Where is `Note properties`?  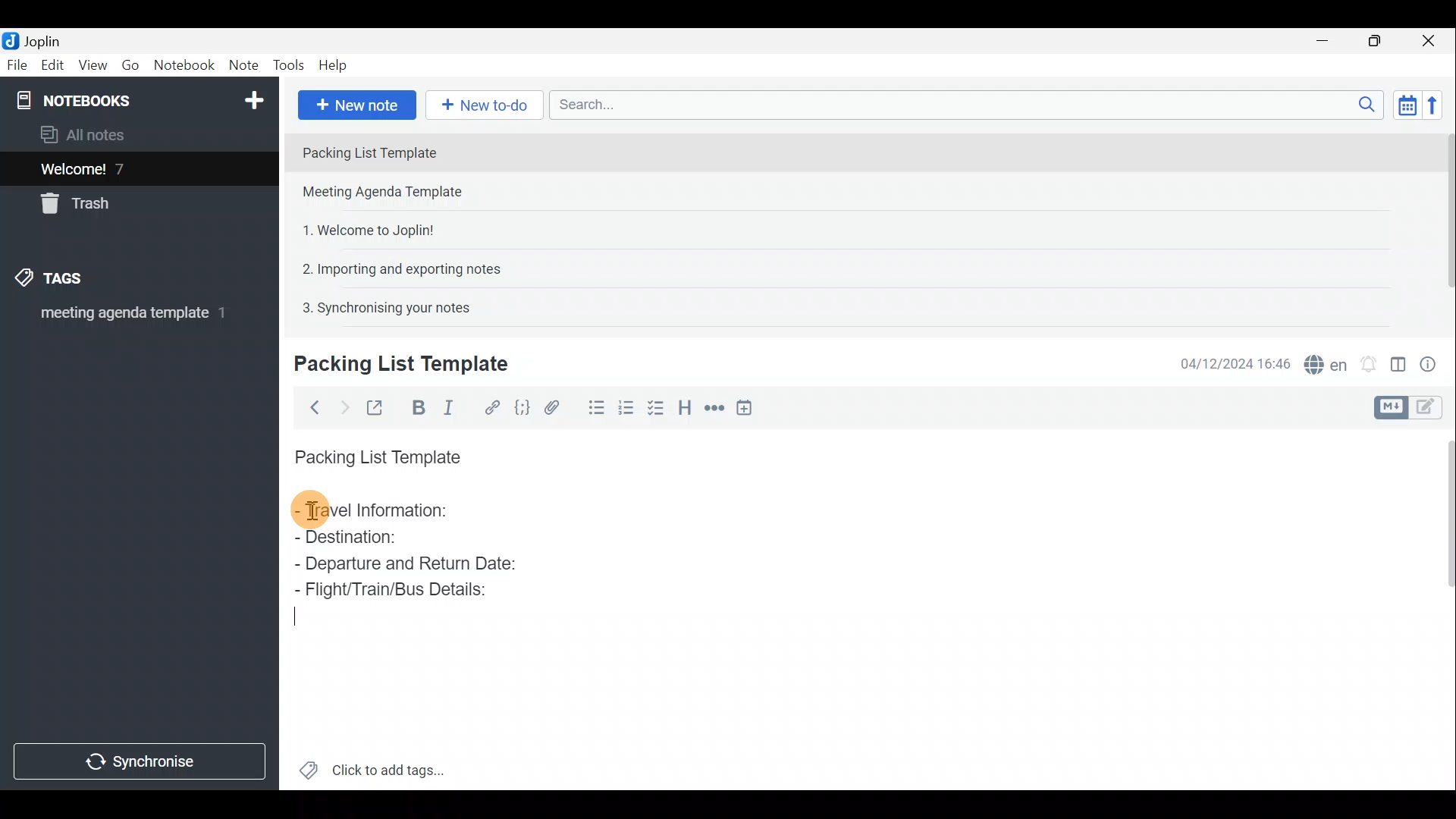 Note properties is located at coordinates (1433, 362).